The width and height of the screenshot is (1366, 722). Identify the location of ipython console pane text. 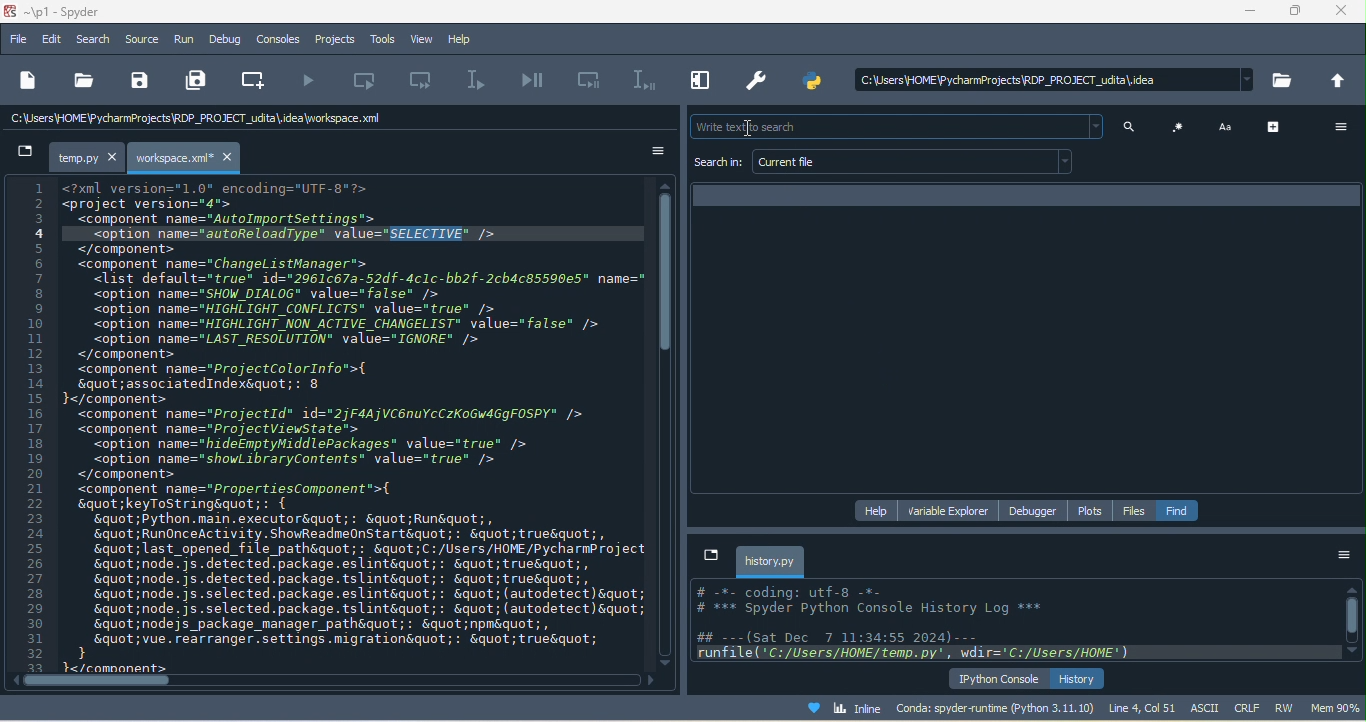
(1014, 623).